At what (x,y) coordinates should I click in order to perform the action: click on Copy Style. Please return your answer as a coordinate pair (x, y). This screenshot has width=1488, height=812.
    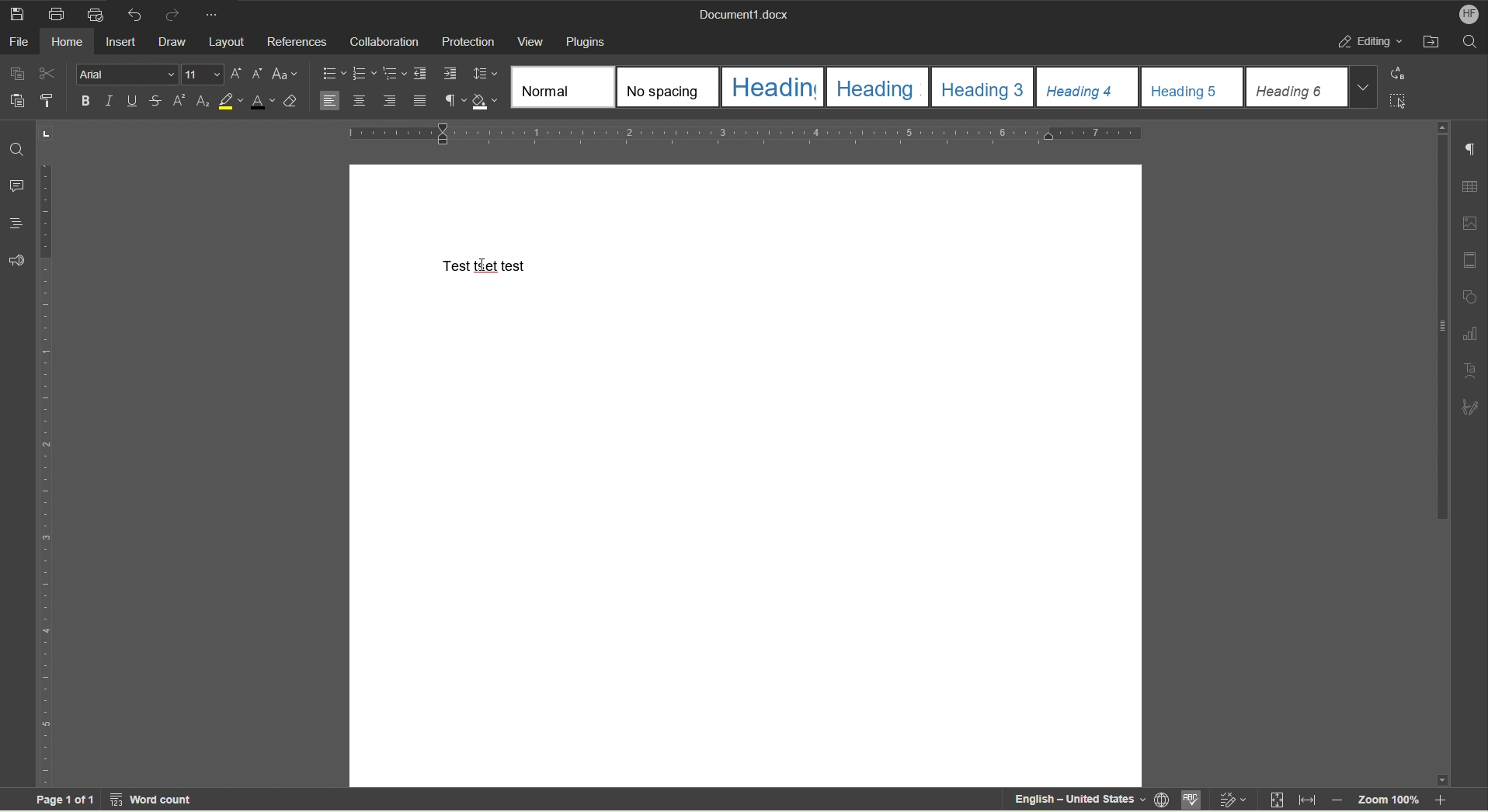
    Looking at the image, I should click on (45, 99).